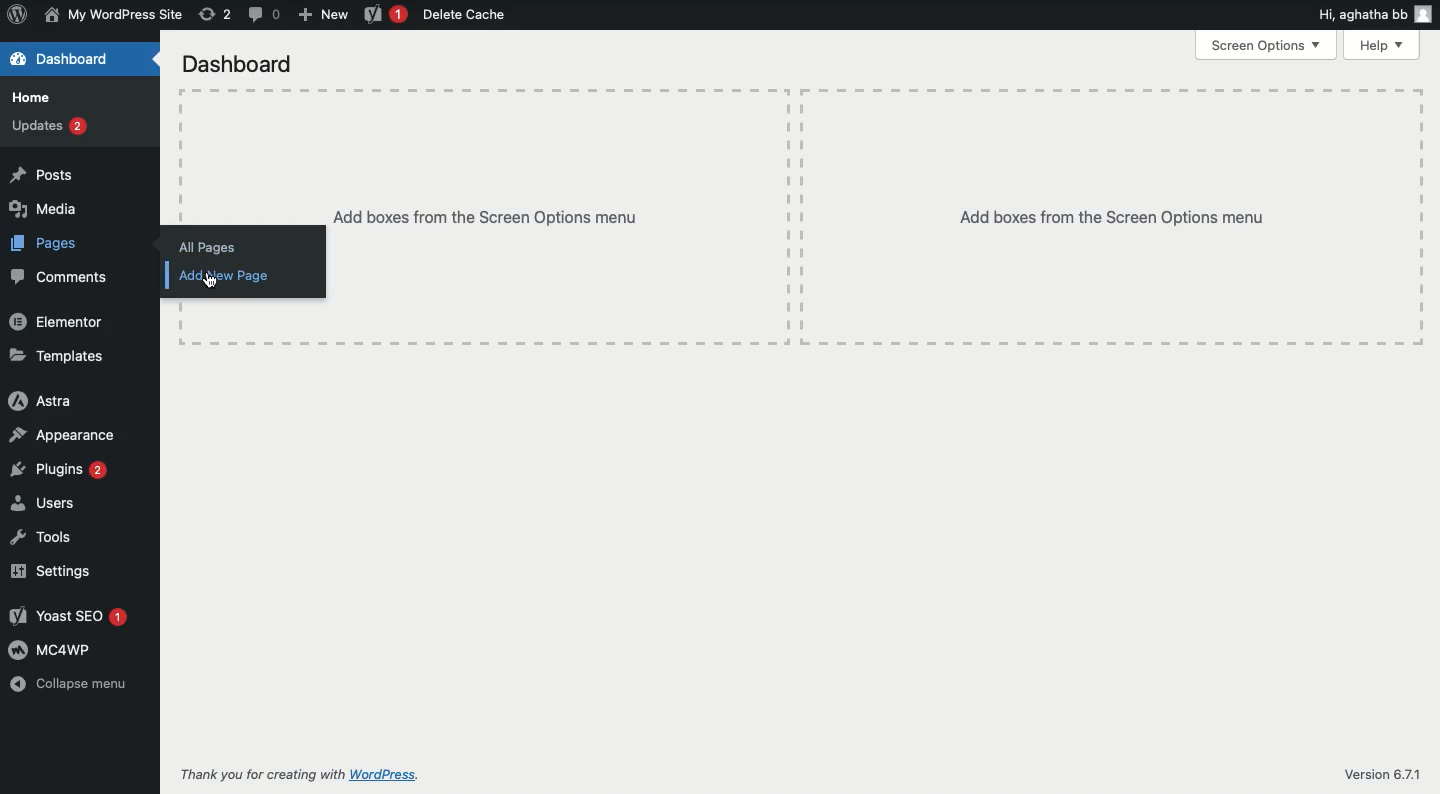  I want to click on Add boxes from the Screen Options menu, so click(505, 214).